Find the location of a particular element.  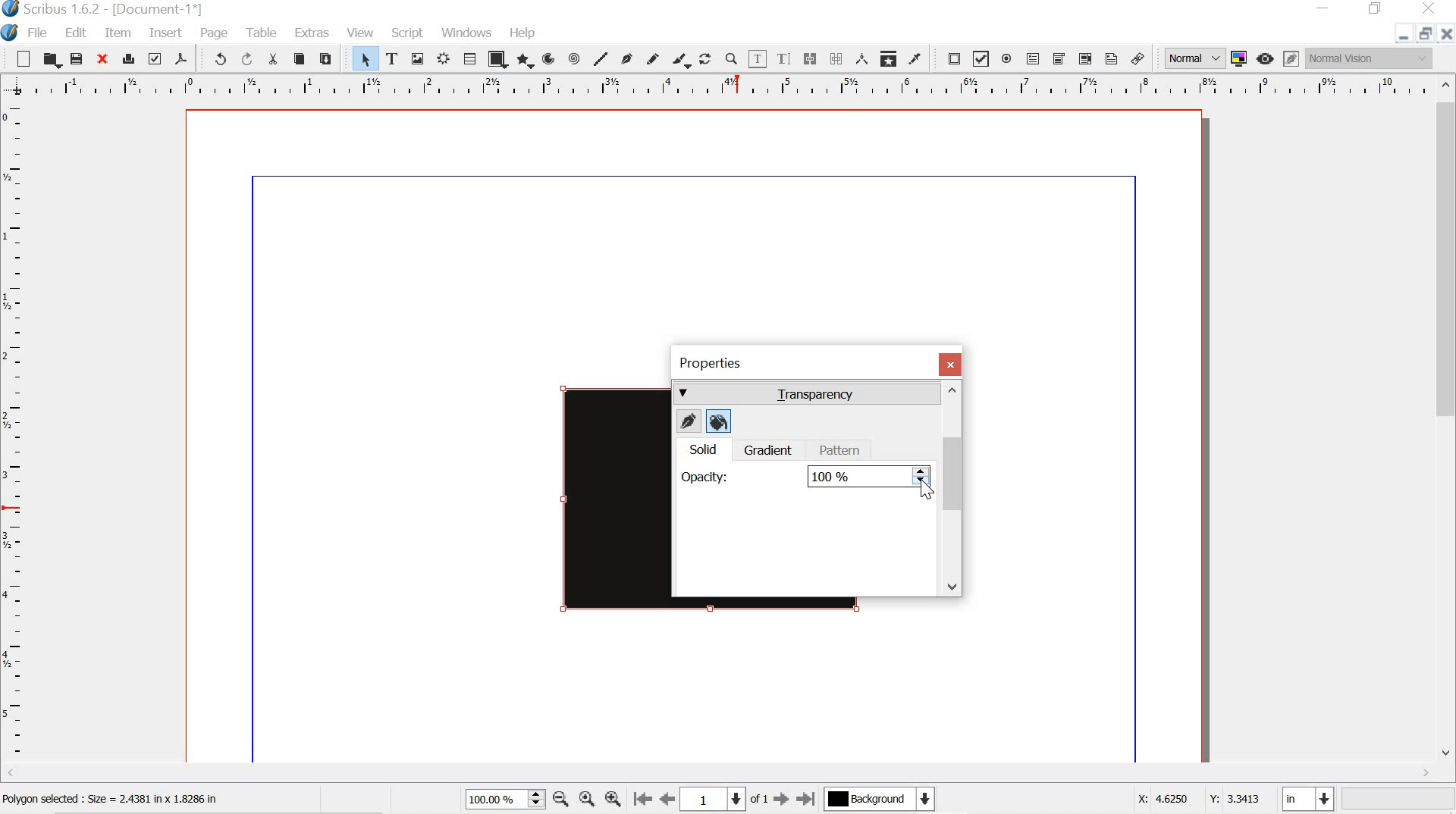

pdf list box is located at coordinates (1084, 58).